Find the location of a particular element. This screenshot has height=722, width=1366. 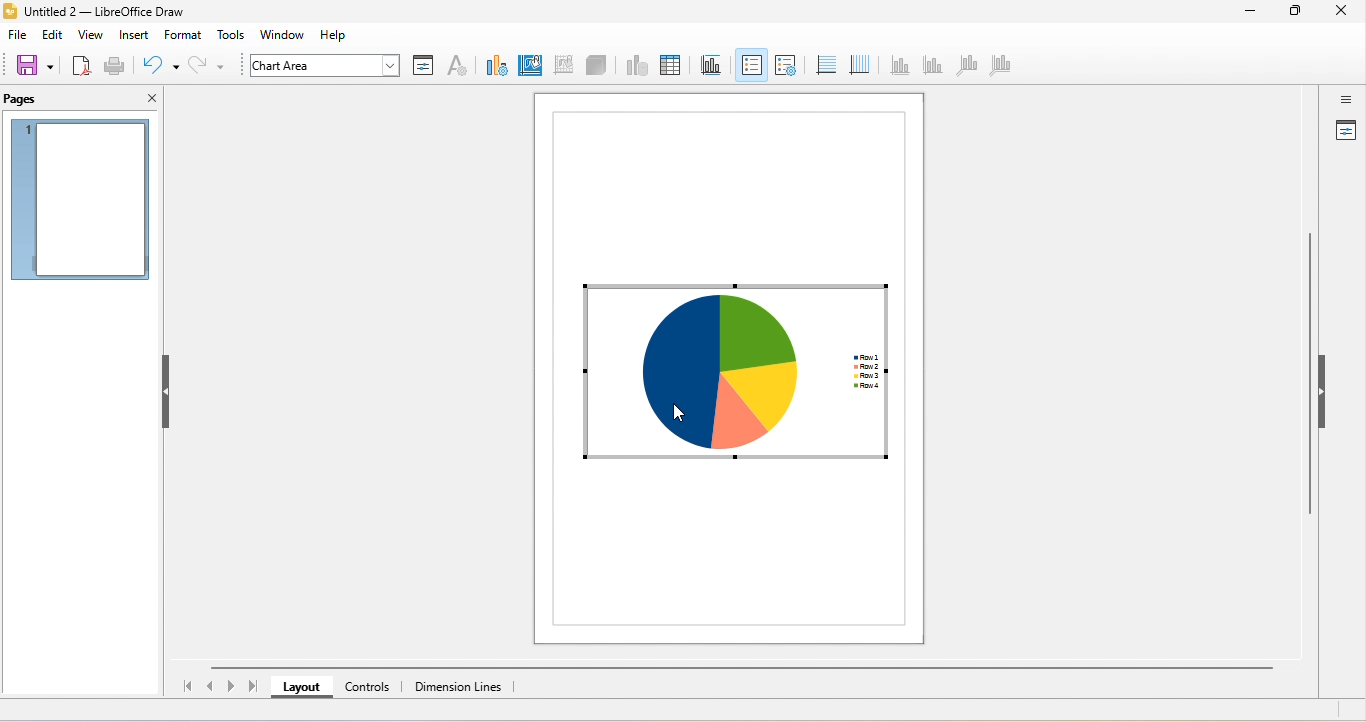

hide is located at coordinates (1322, 389).